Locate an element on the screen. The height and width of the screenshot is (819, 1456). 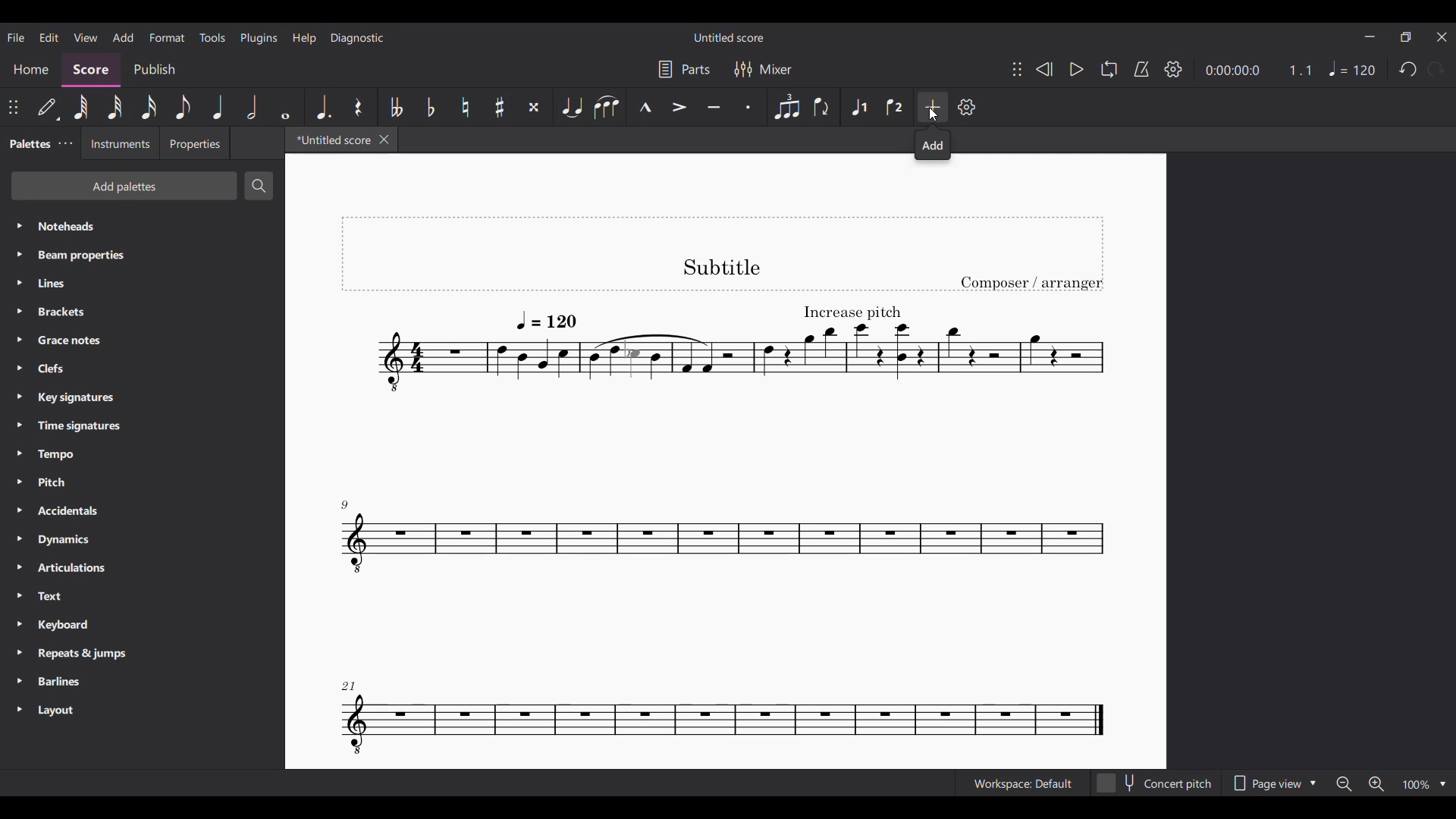
Toggle double sharp is located at coordinates (534, 107).